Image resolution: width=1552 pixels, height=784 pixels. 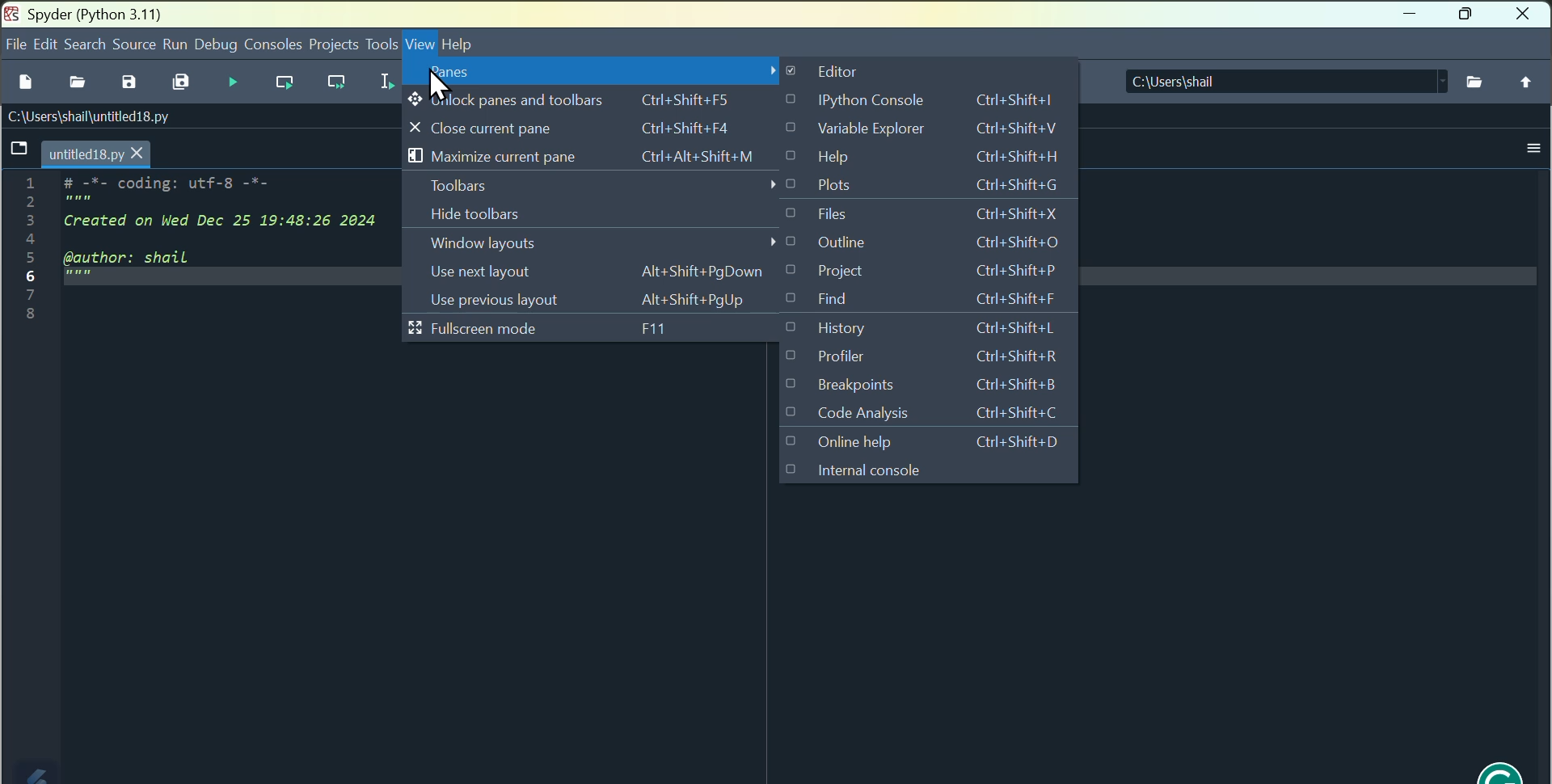 What do you see at coordinates (604, 159) in the screenshot?
I see `Maximise current pane` at bounding box center [604, 159].